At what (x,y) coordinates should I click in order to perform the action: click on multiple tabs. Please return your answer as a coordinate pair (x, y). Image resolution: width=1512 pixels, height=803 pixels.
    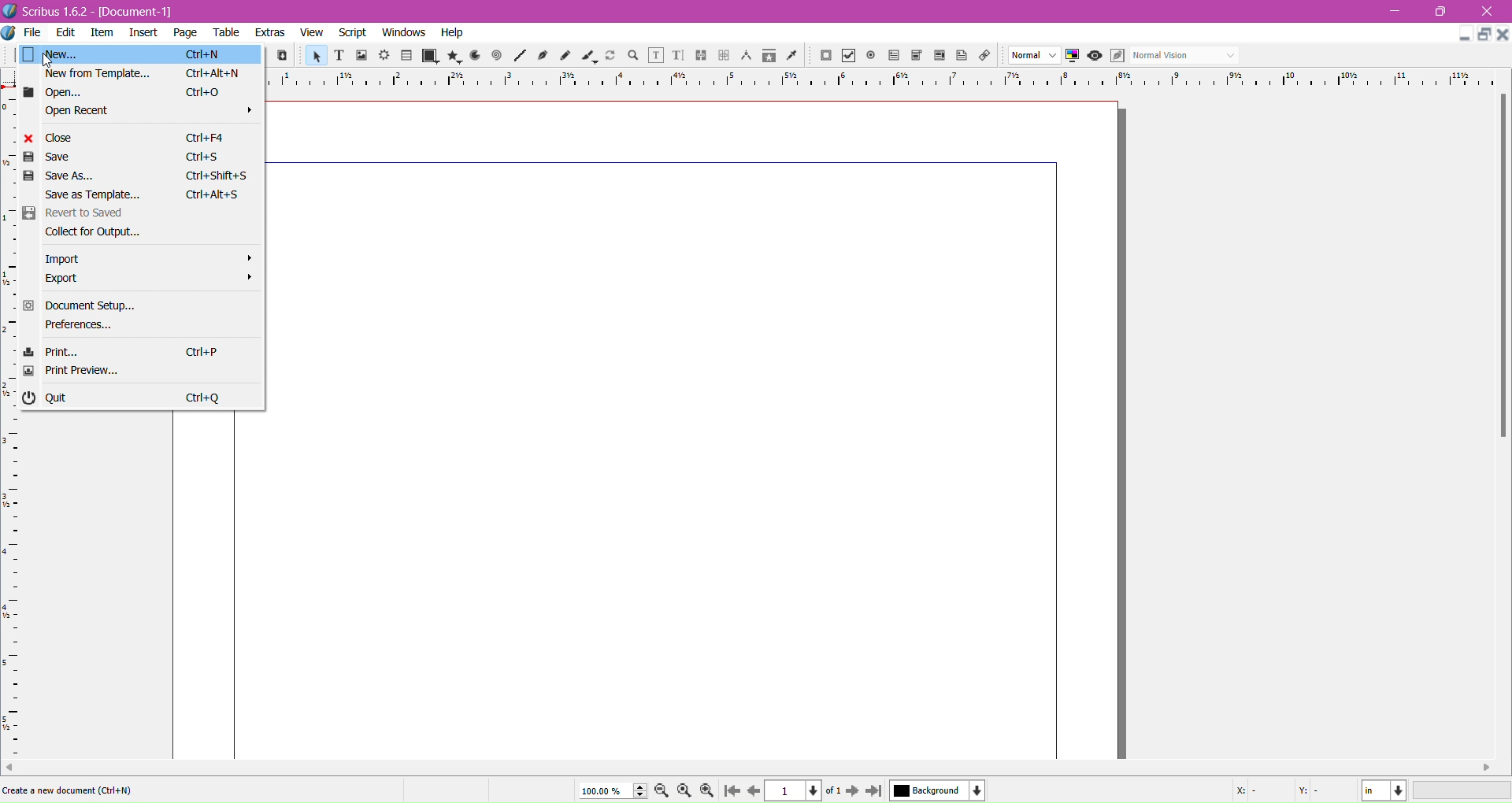
    Looking at the image, I should click on (1485, 32).